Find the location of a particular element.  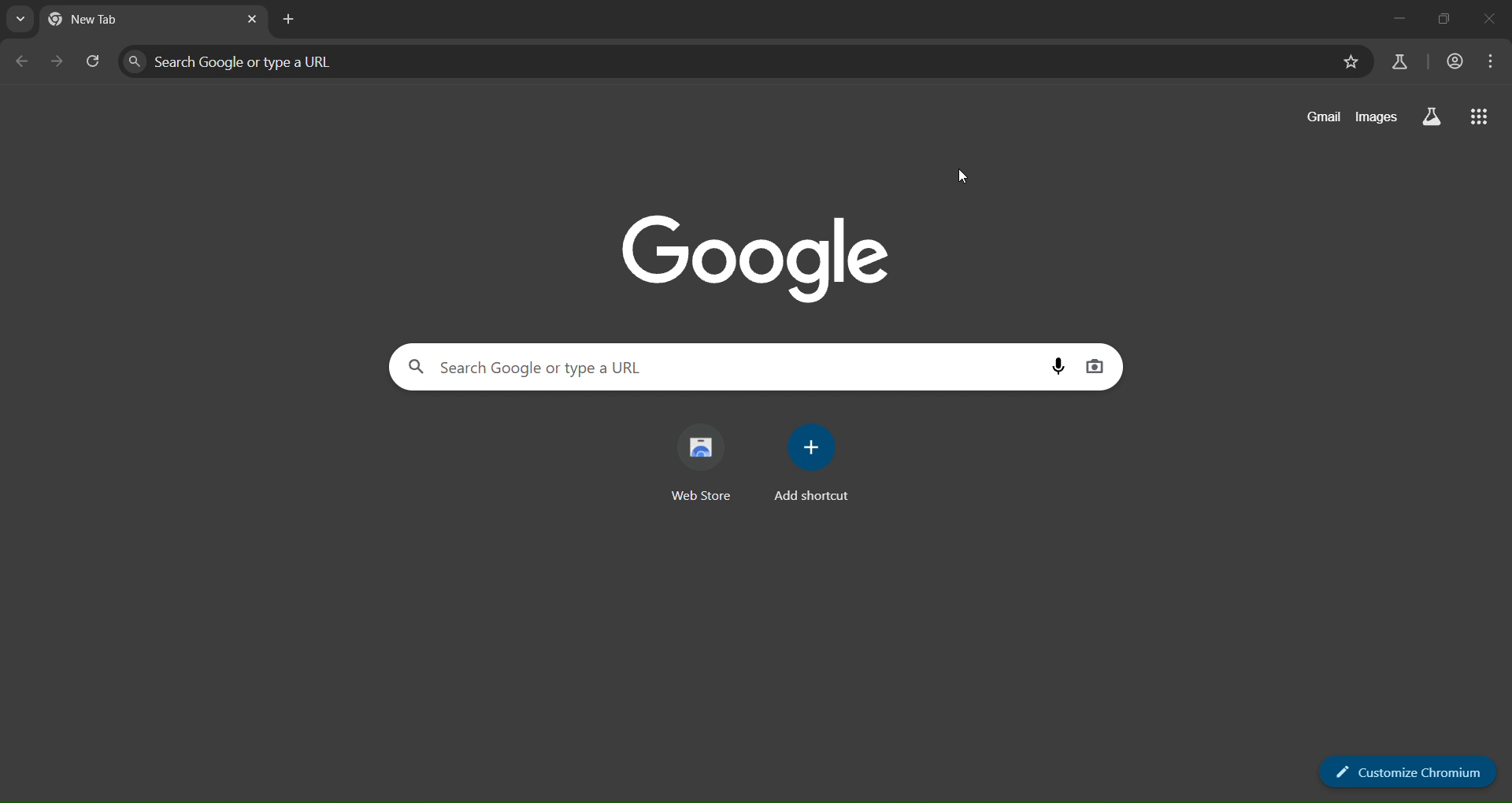

restore down is located at coordinates (1392, 18).